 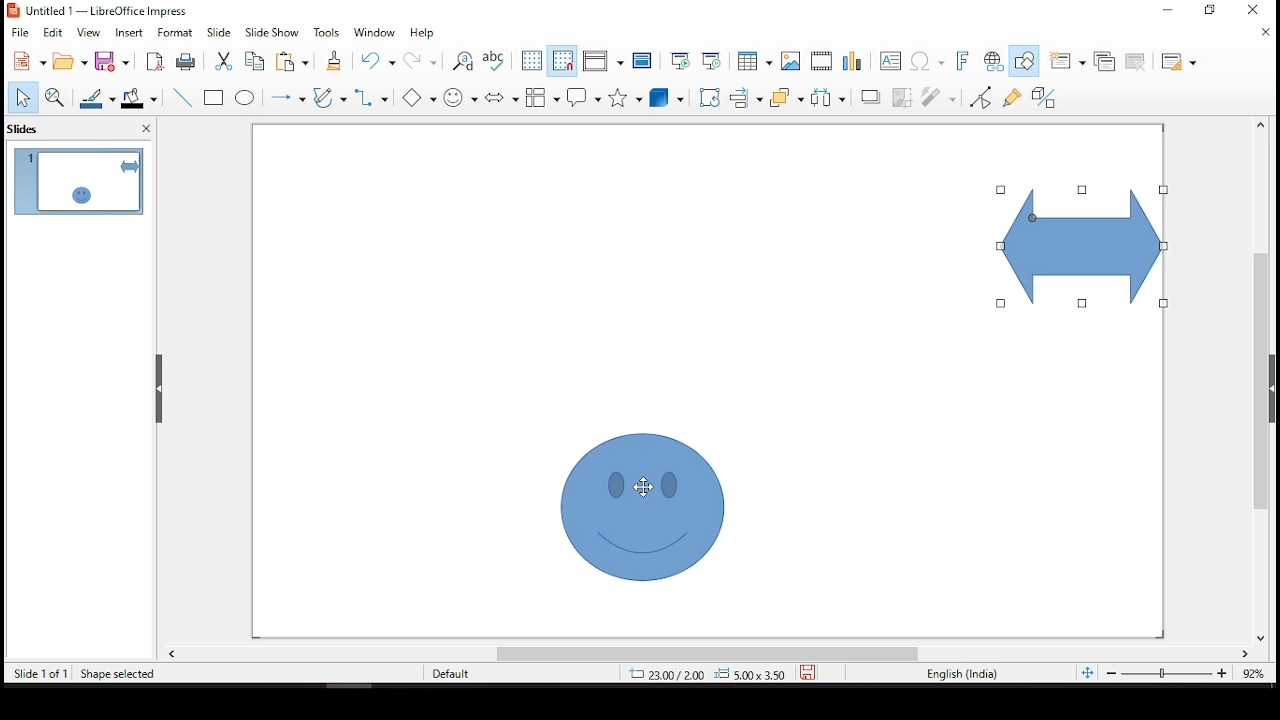 I want to click on show draw functions, so click(x=1025, y=59).